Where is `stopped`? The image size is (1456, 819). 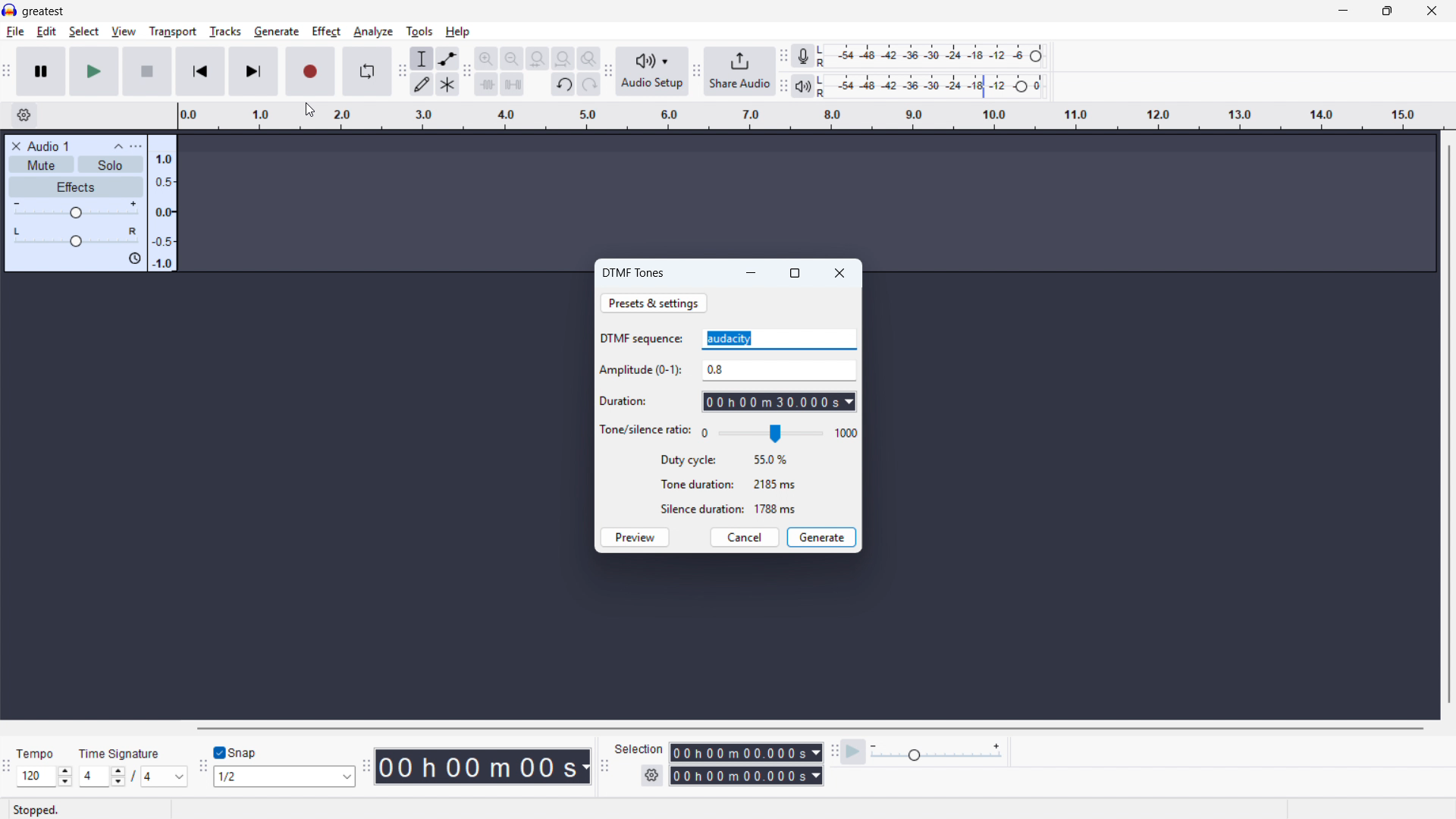
stopped is located at coordinates (36, 811).